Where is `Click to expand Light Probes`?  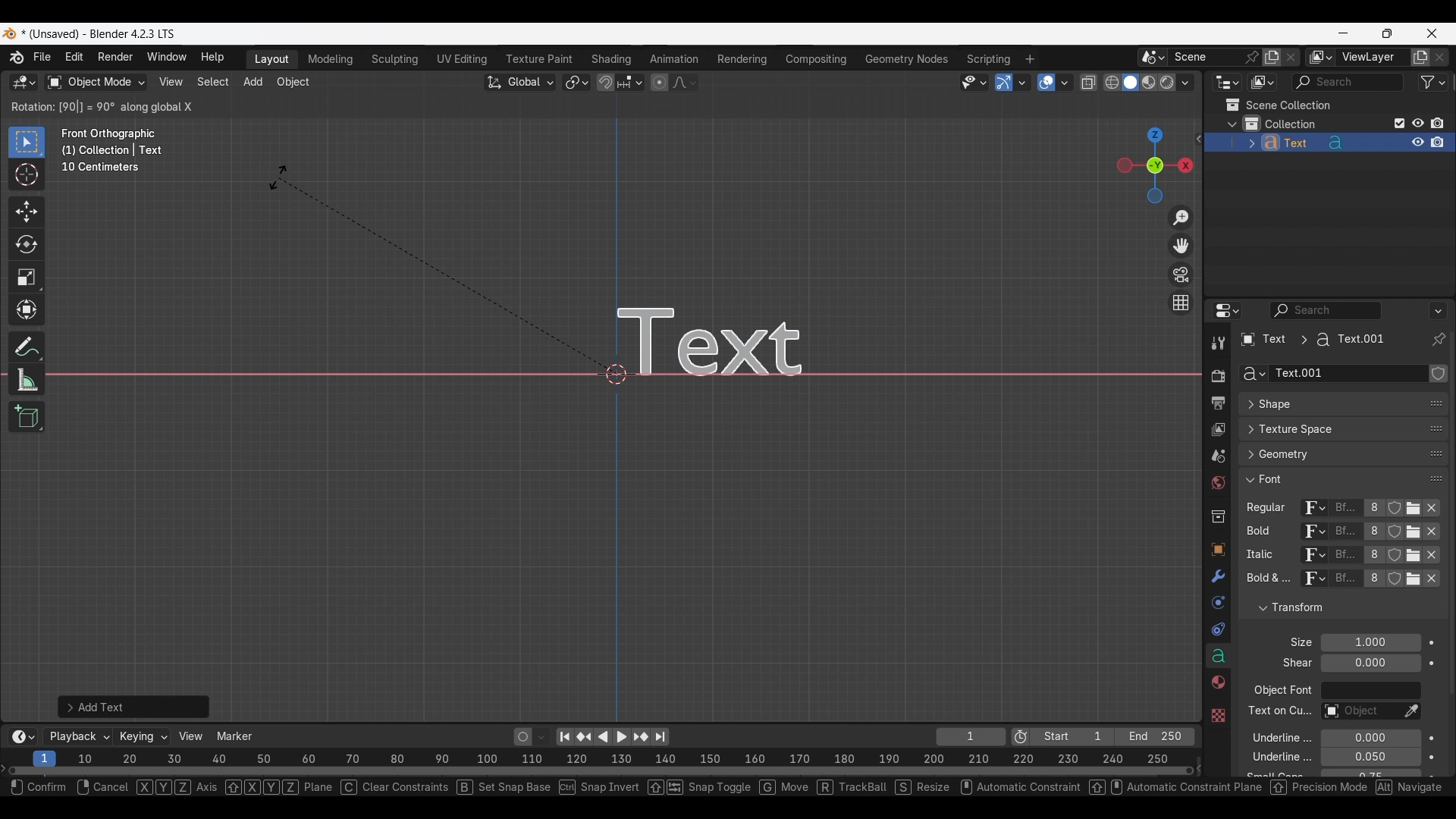
Click to expand Light Probes is located at coordinates (1291, 642).